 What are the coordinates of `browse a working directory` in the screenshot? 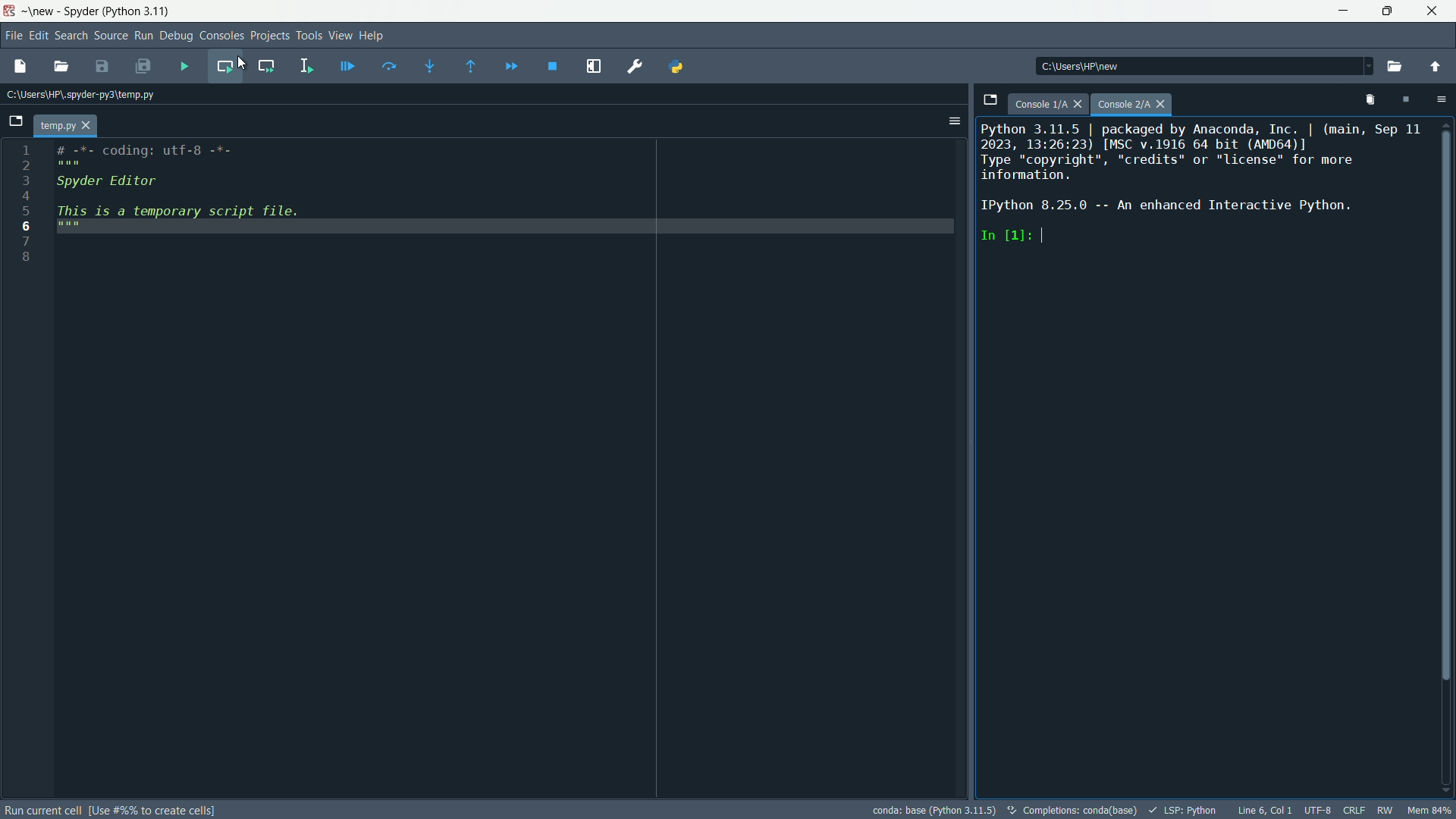 It's located at (1395, 68).